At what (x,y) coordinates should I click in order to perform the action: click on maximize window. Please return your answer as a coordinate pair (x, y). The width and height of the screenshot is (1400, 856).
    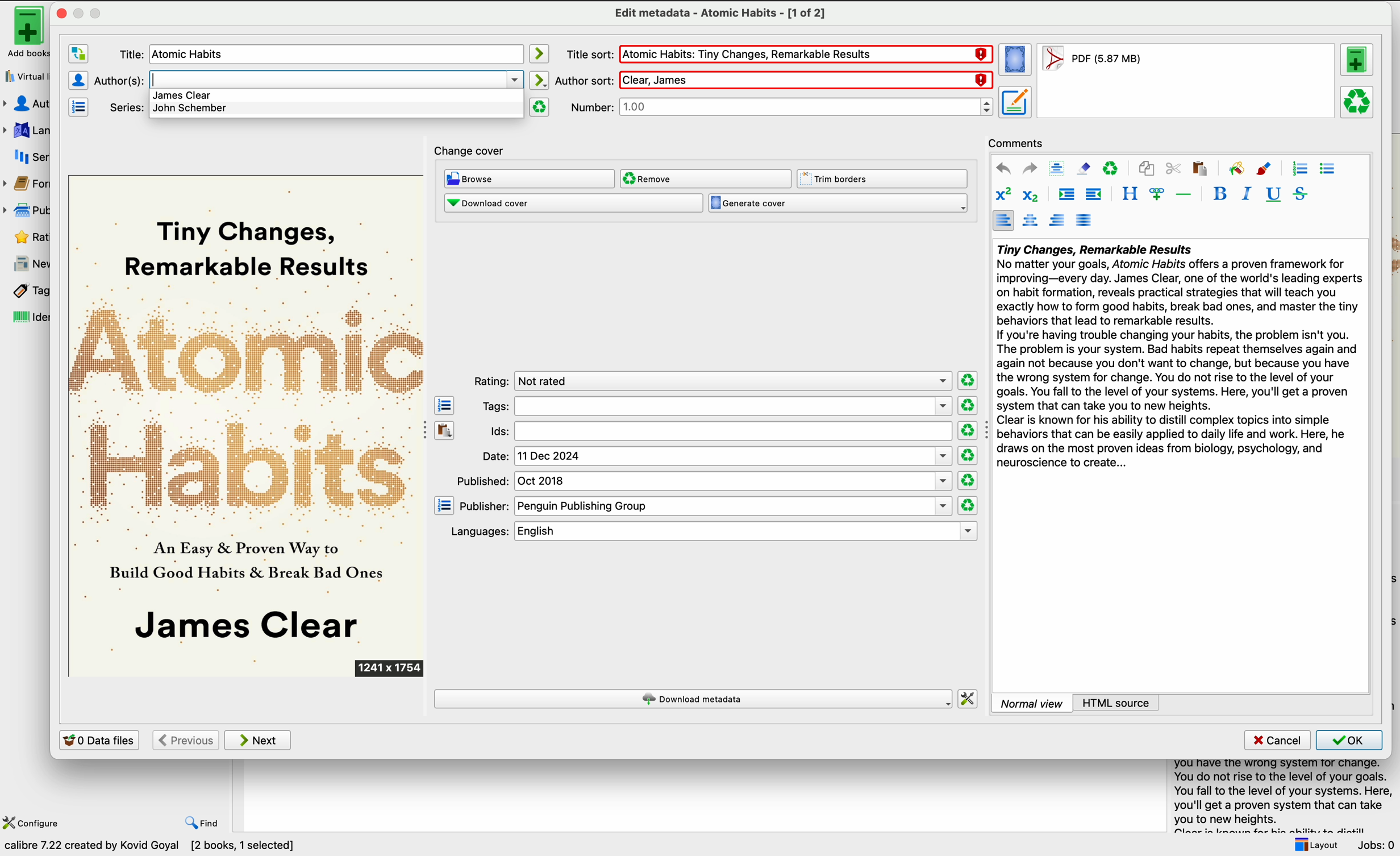
    Looking at the image, I should click on (88, 13).